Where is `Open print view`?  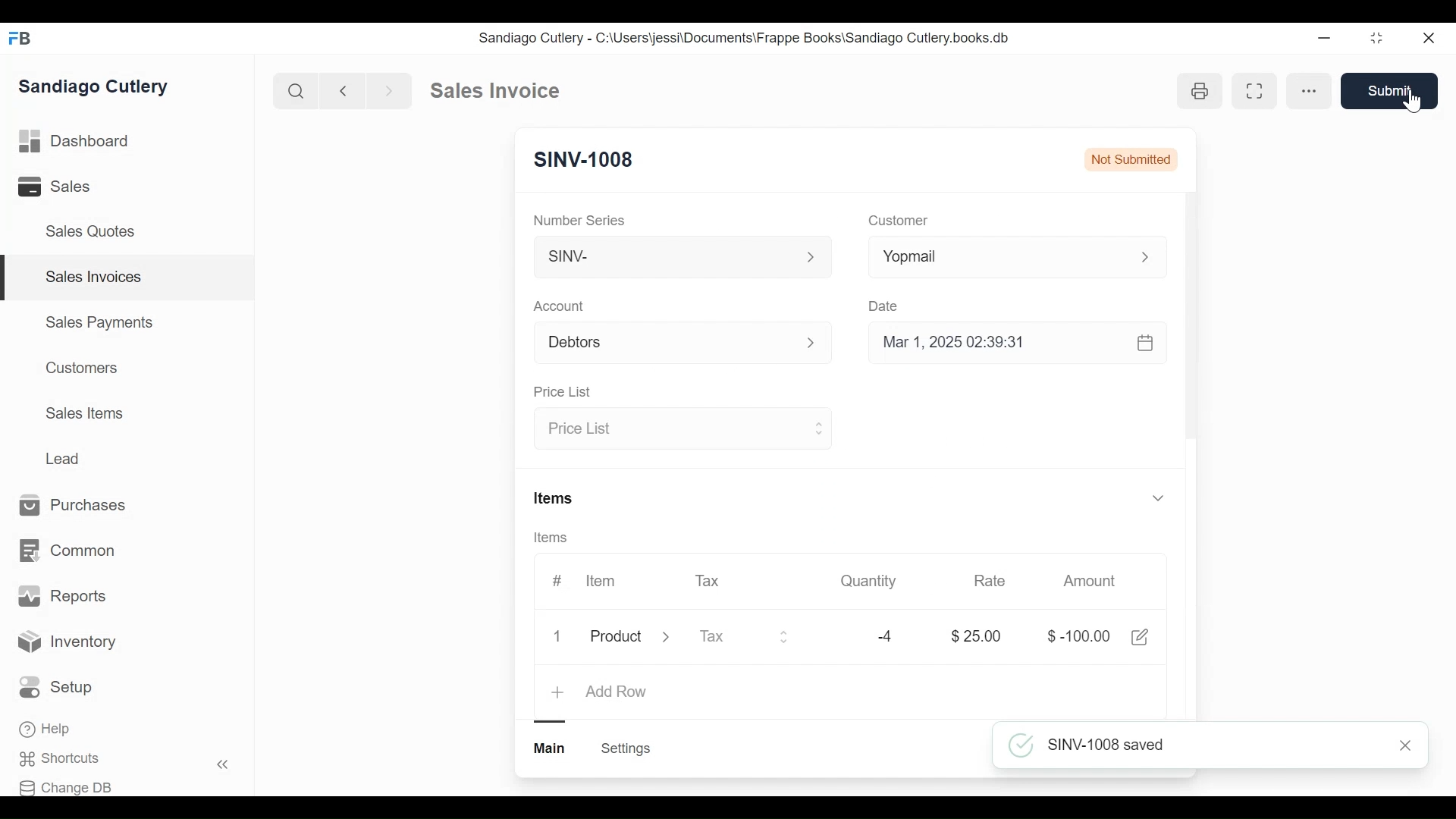
Open print view is located at coordinates (1202, 91).